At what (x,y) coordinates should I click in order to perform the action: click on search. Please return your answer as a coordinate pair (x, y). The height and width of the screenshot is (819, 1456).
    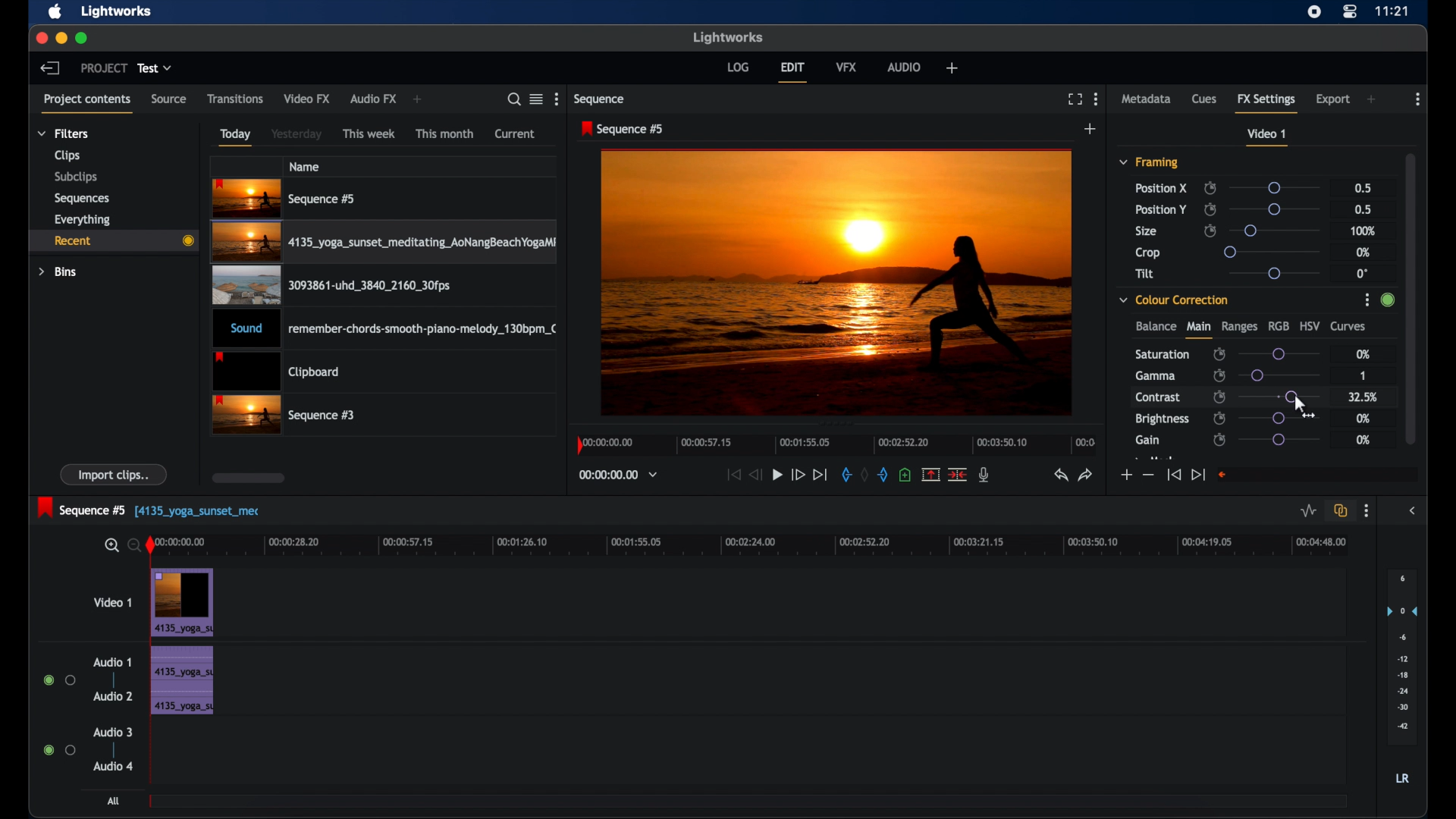
    Looking at the image, I should click on (510, 99).